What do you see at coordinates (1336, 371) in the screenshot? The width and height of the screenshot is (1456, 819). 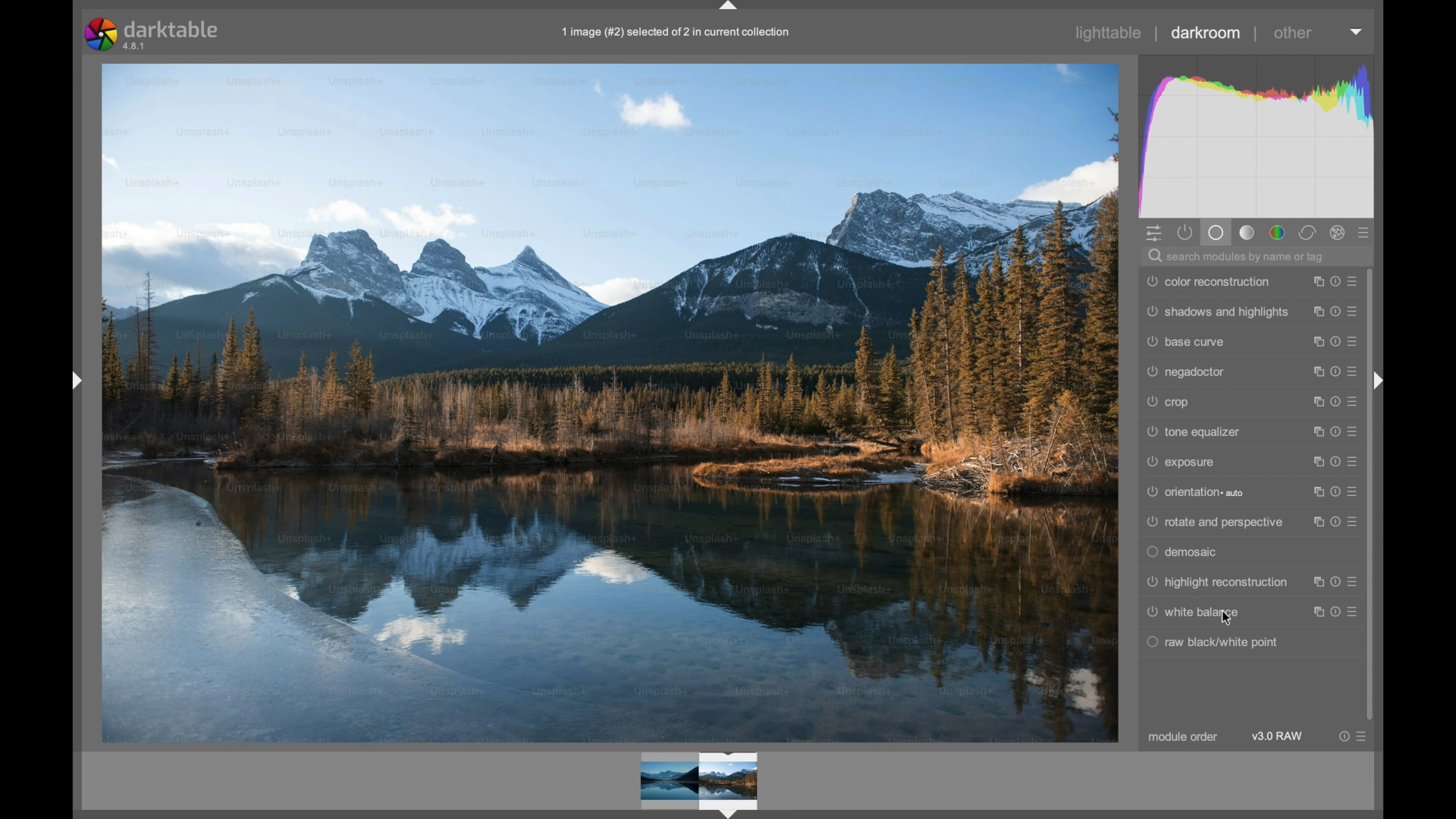 I see `reset parameters` at bounding box center [1336, 371].